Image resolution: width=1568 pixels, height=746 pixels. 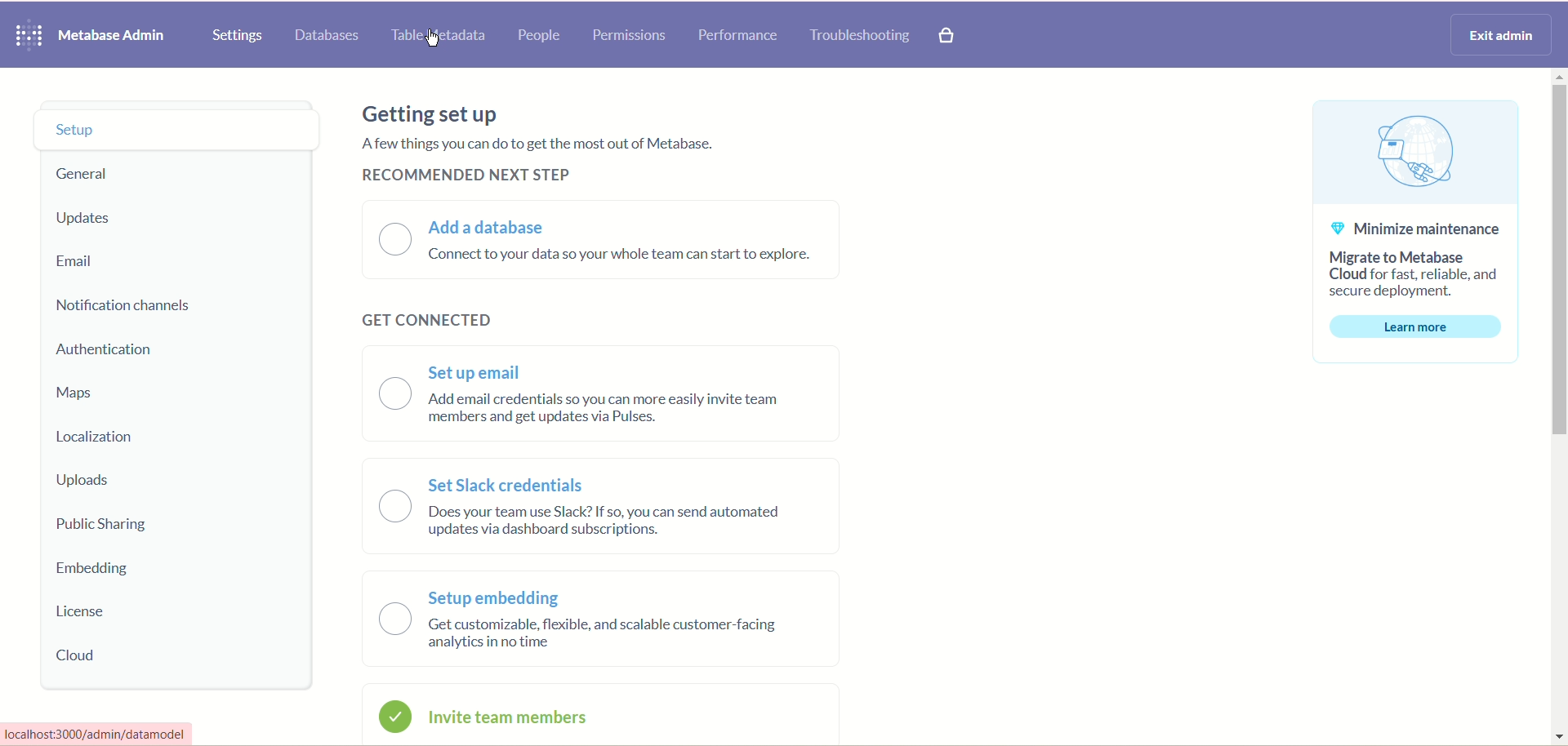 What do you see at coordinates (330, 36) in the screenshot?
I see `database` at bounding box center [330, 36].